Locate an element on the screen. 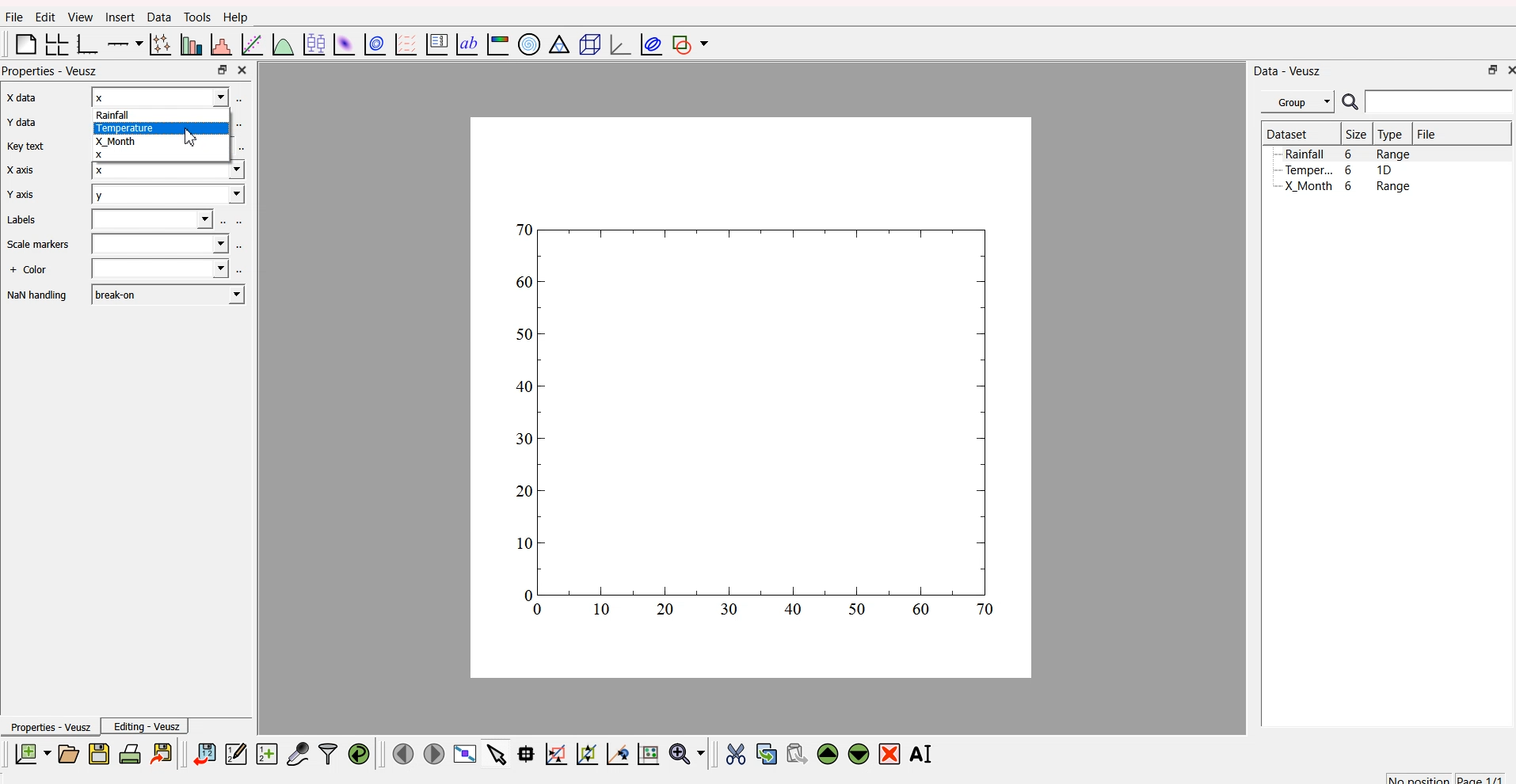  search icon is located at coordinates (1350, 102).